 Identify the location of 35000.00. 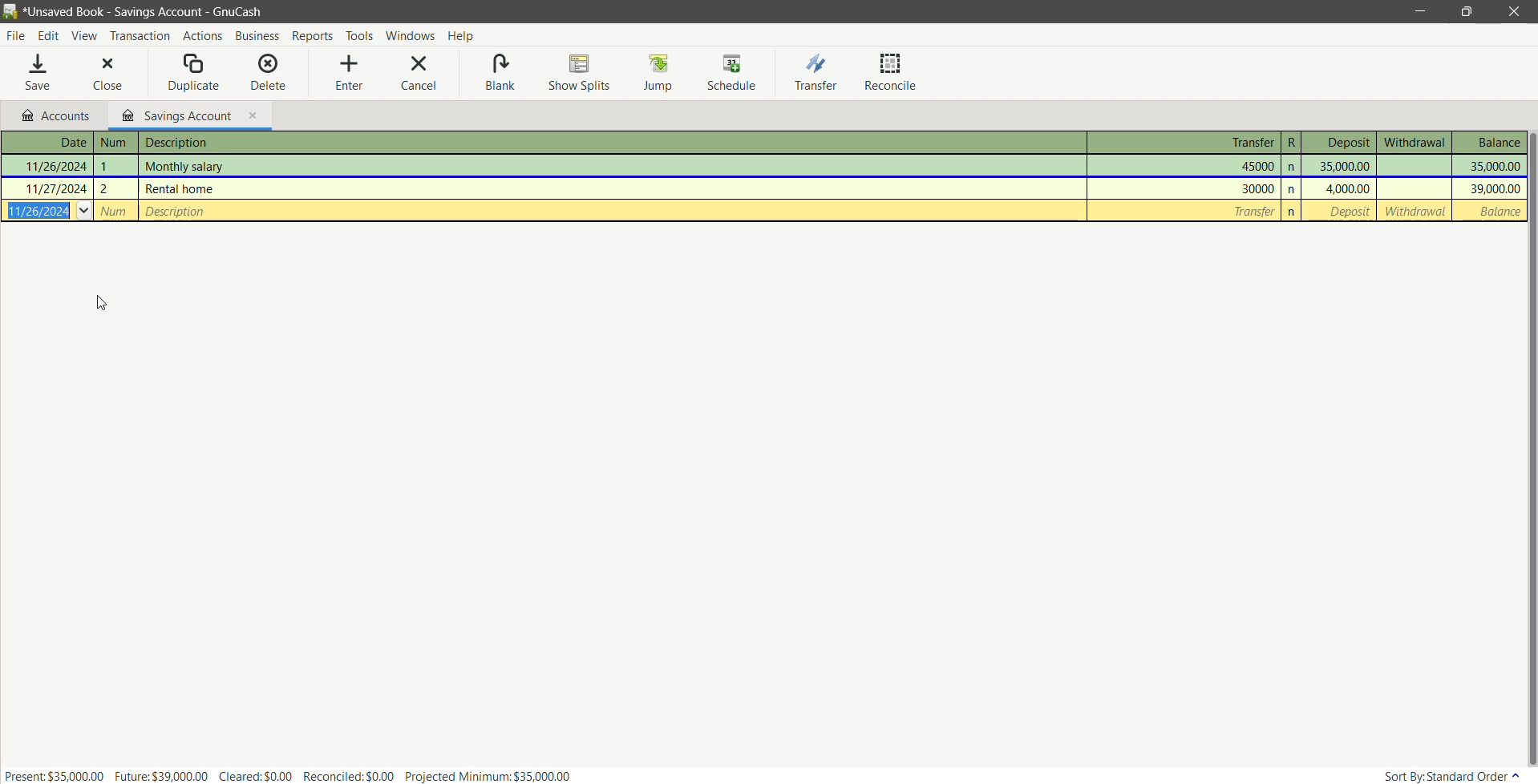
(1341, 165).